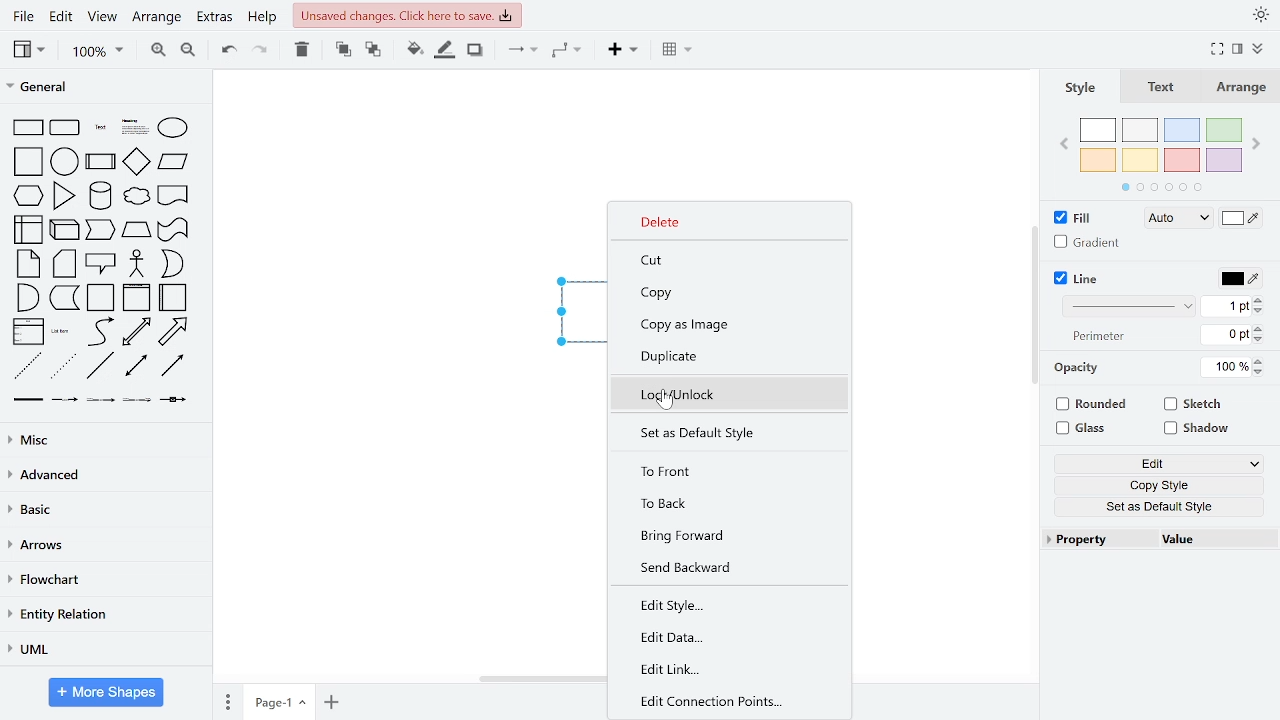 Image resolution: width=1280 pixels, height=720 pixels. Describe the element at coordinates (63, 264) in the screenshot. I see `card` at that location.